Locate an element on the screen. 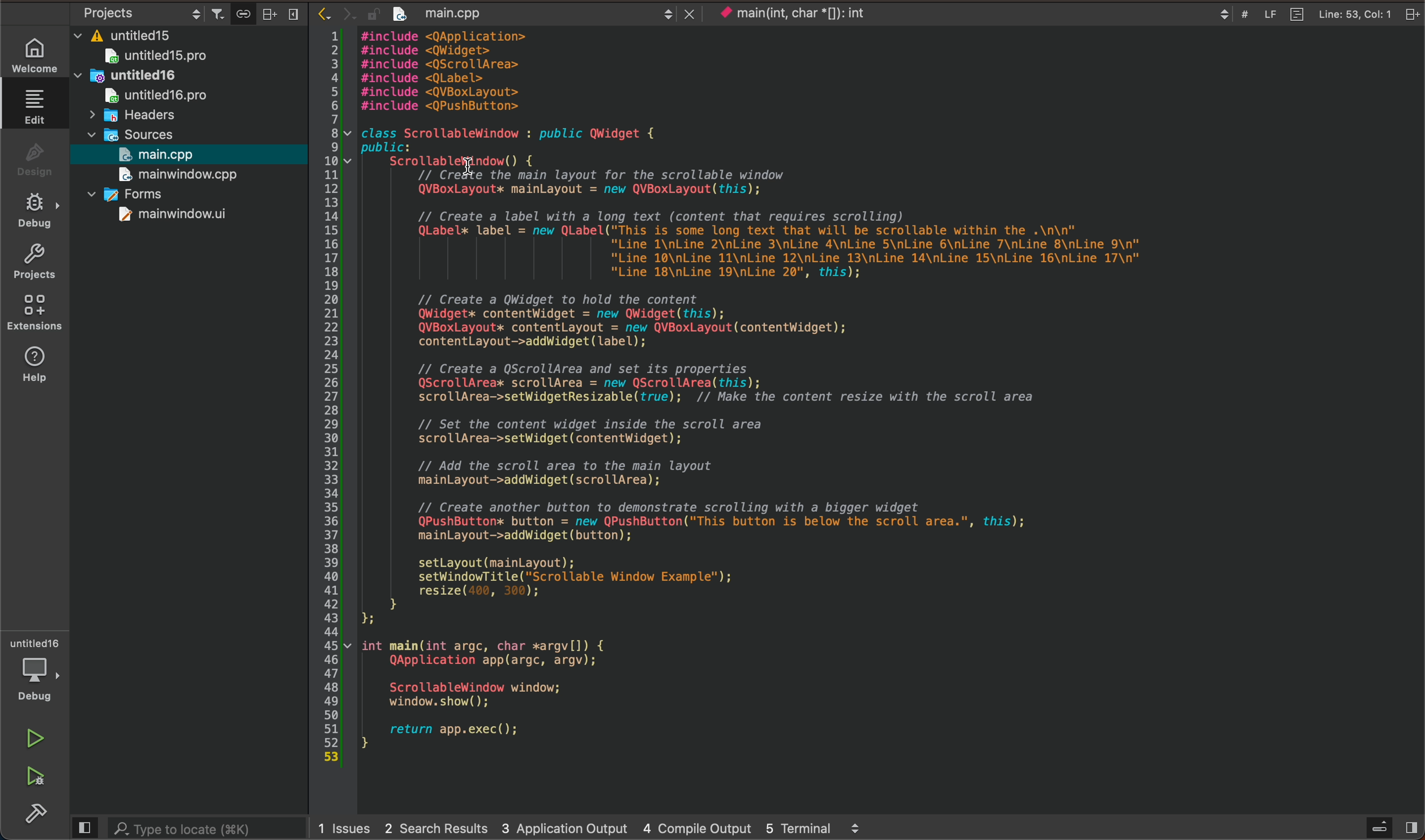 This screenshot has width=1425, height=840. extensions is located at coordinates (35, 312).